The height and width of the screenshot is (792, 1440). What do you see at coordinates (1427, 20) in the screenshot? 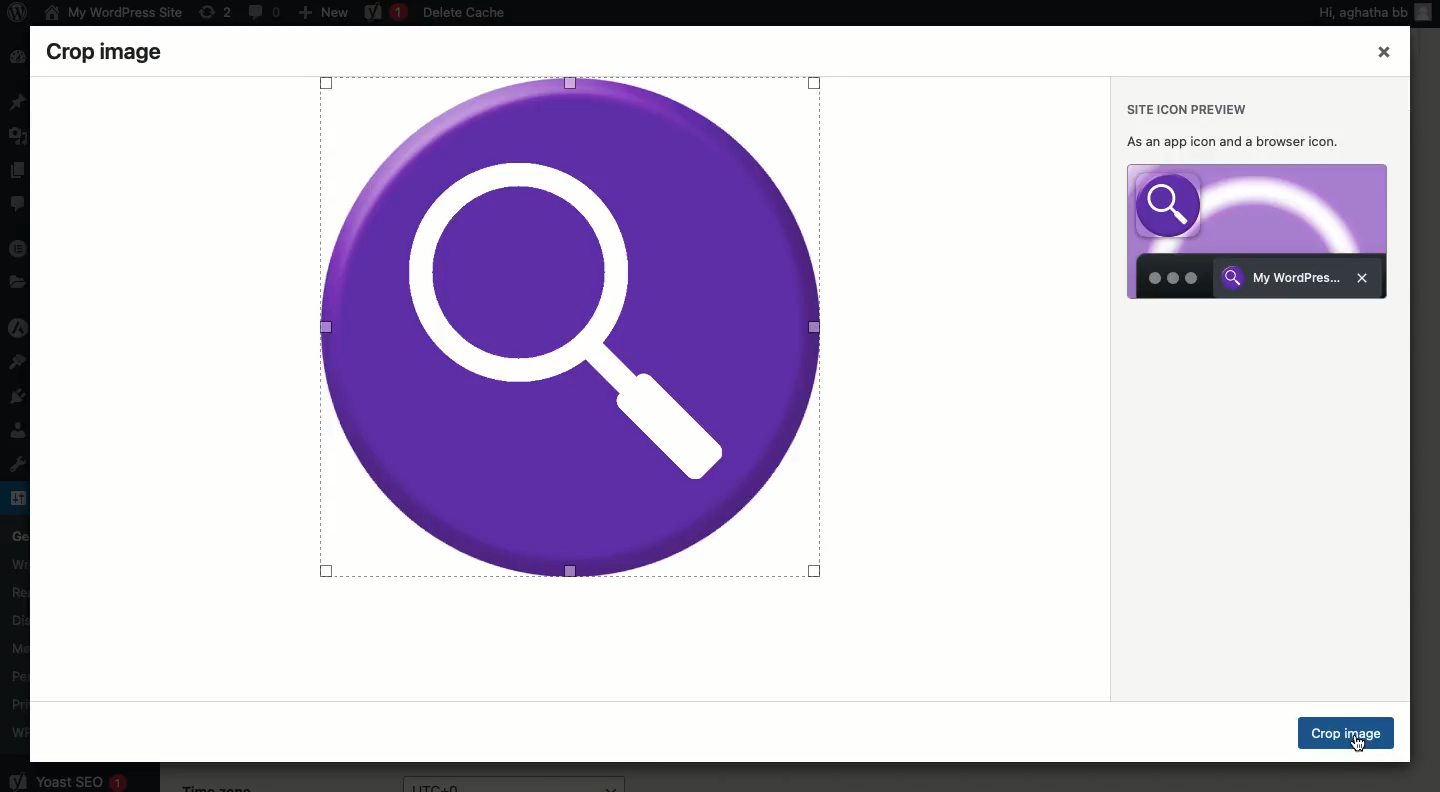
I see `user icon` at bounding box center [1427, 20].